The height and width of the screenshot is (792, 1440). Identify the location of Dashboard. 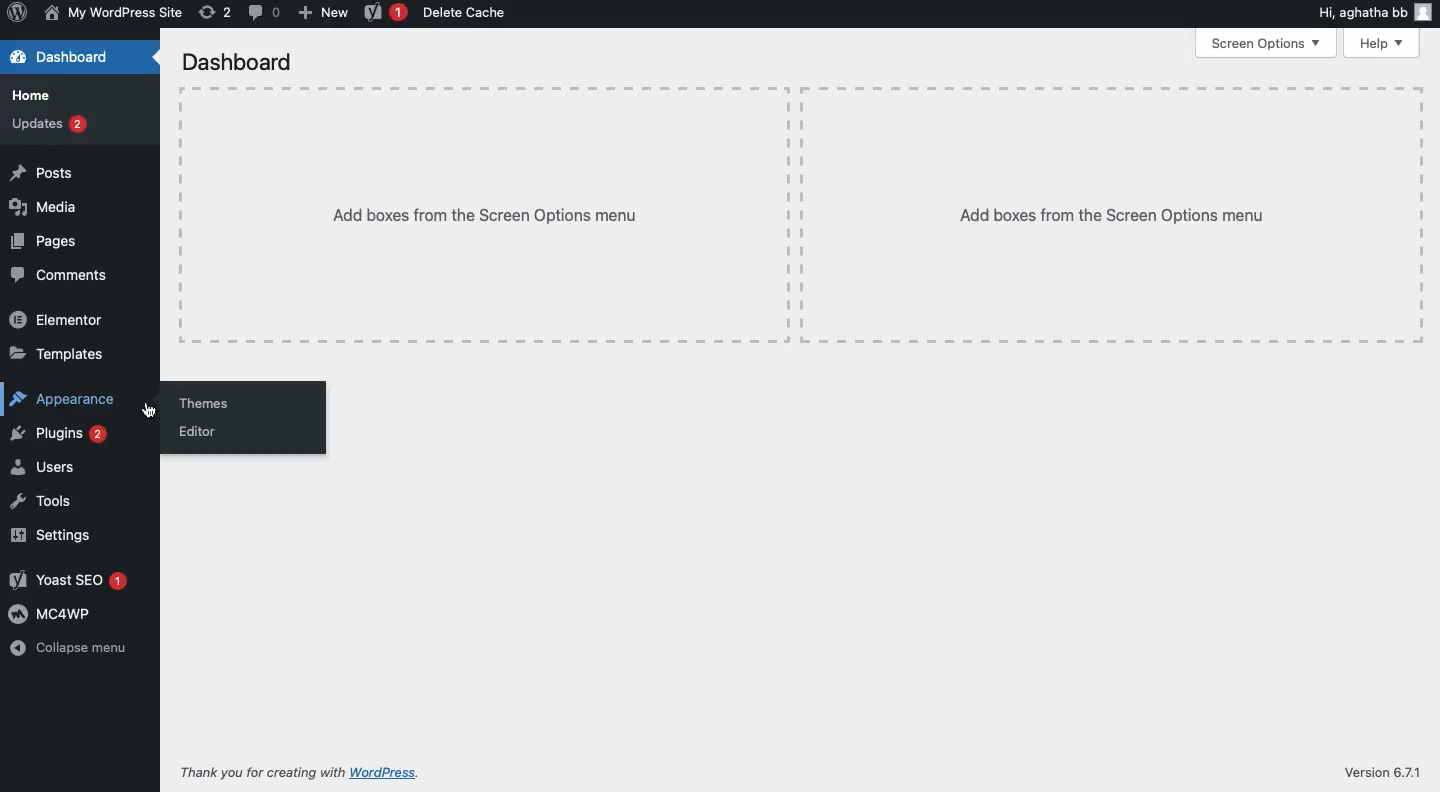
(244, 64).